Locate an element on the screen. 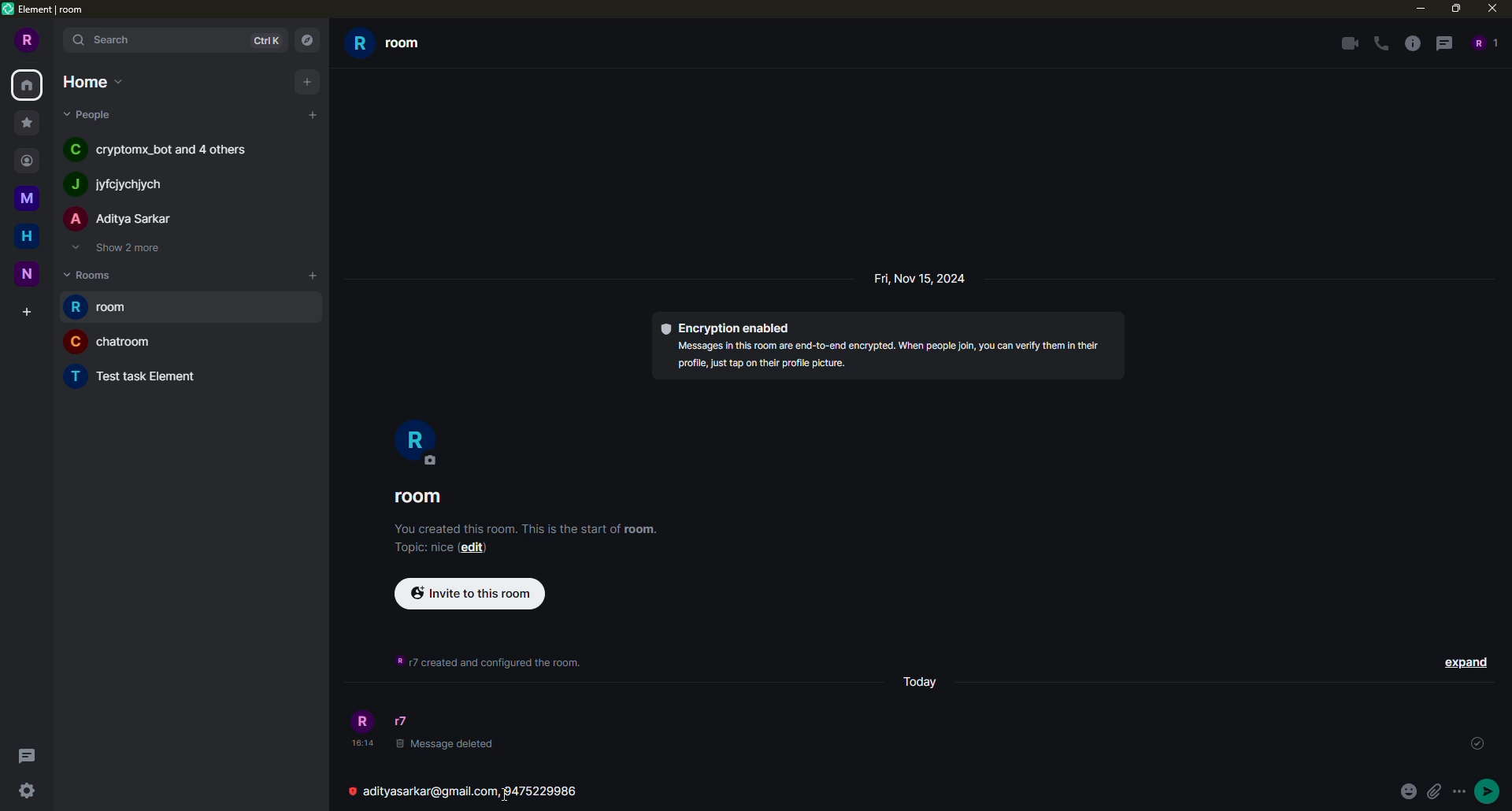 The width and height of the screenshot is (1512, 811). show 2 more is located at coordinates (123, 249).